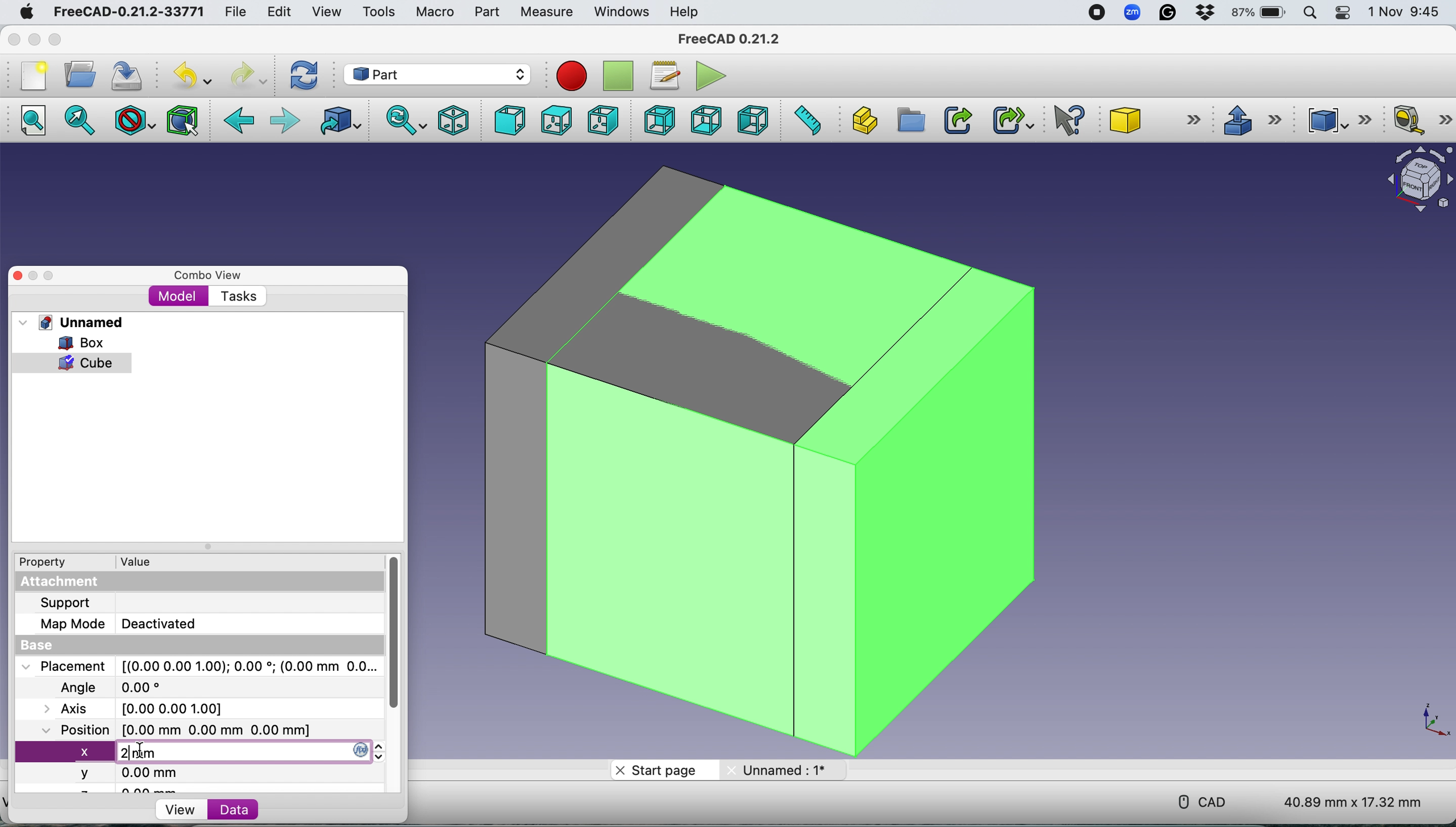  What do you see at coordinates (1260, 13) in the screenshot?
I see `87% battery` at bounding box center [1260, 13].